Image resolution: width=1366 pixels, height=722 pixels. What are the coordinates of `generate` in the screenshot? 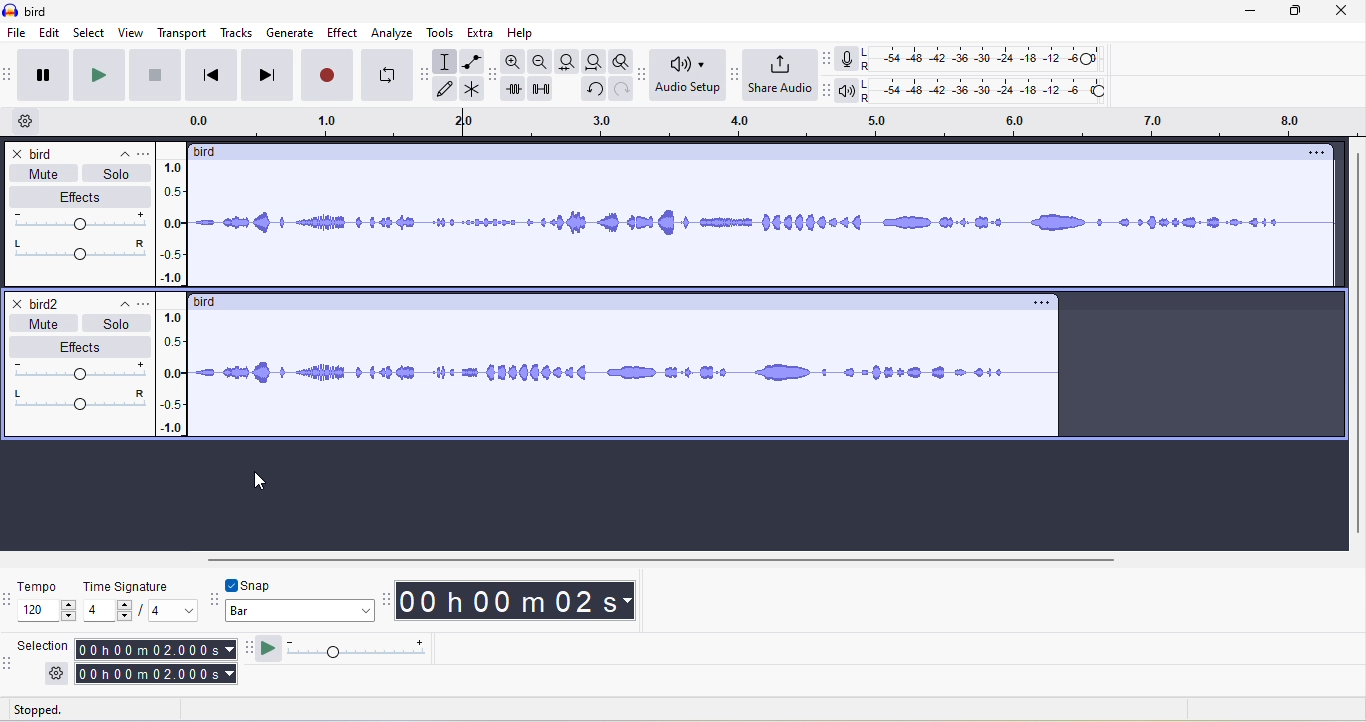 It's located at (288, 35).